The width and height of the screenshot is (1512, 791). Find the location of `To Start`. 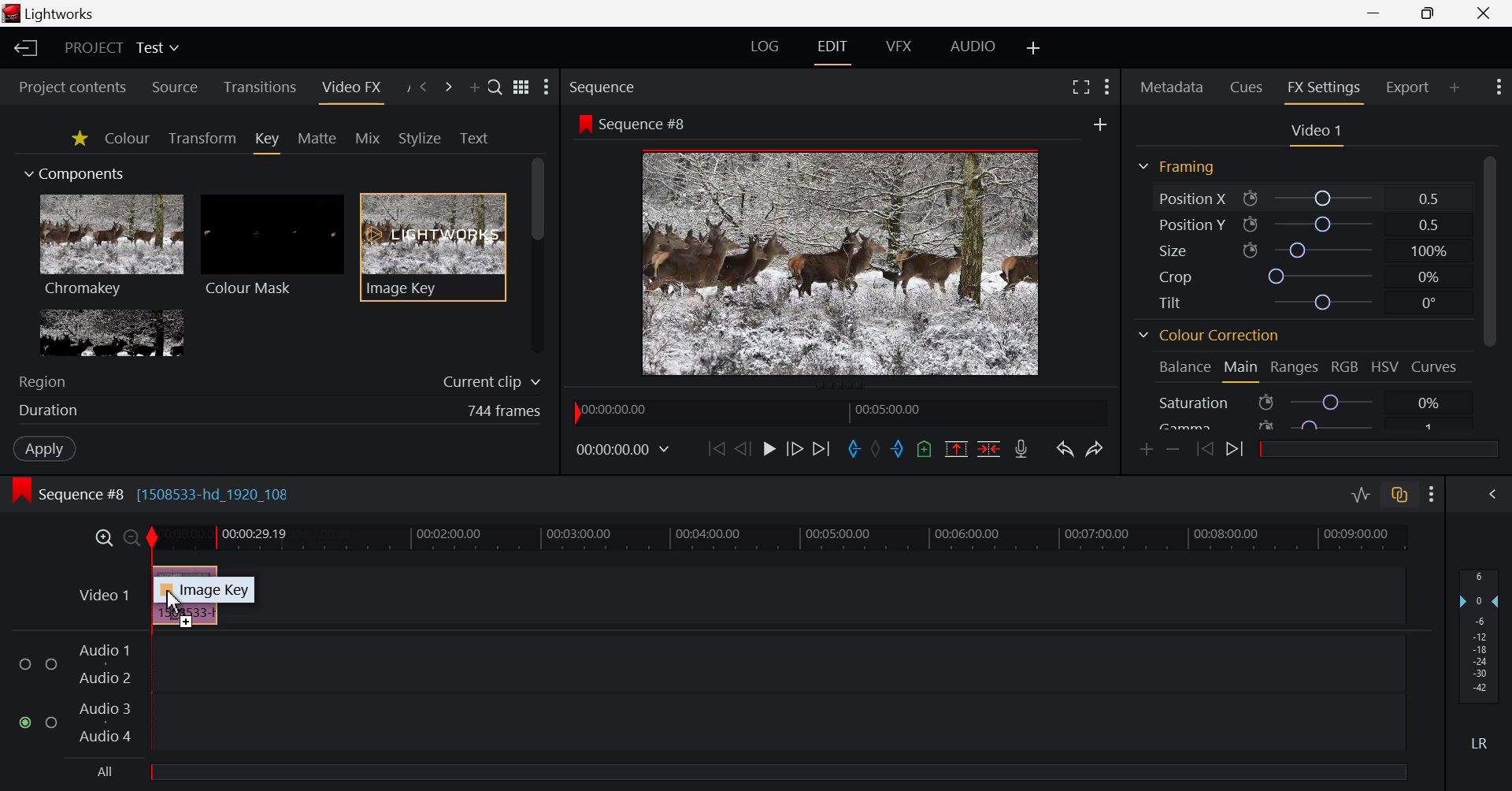

To Start is located at coordinates (714, 445).